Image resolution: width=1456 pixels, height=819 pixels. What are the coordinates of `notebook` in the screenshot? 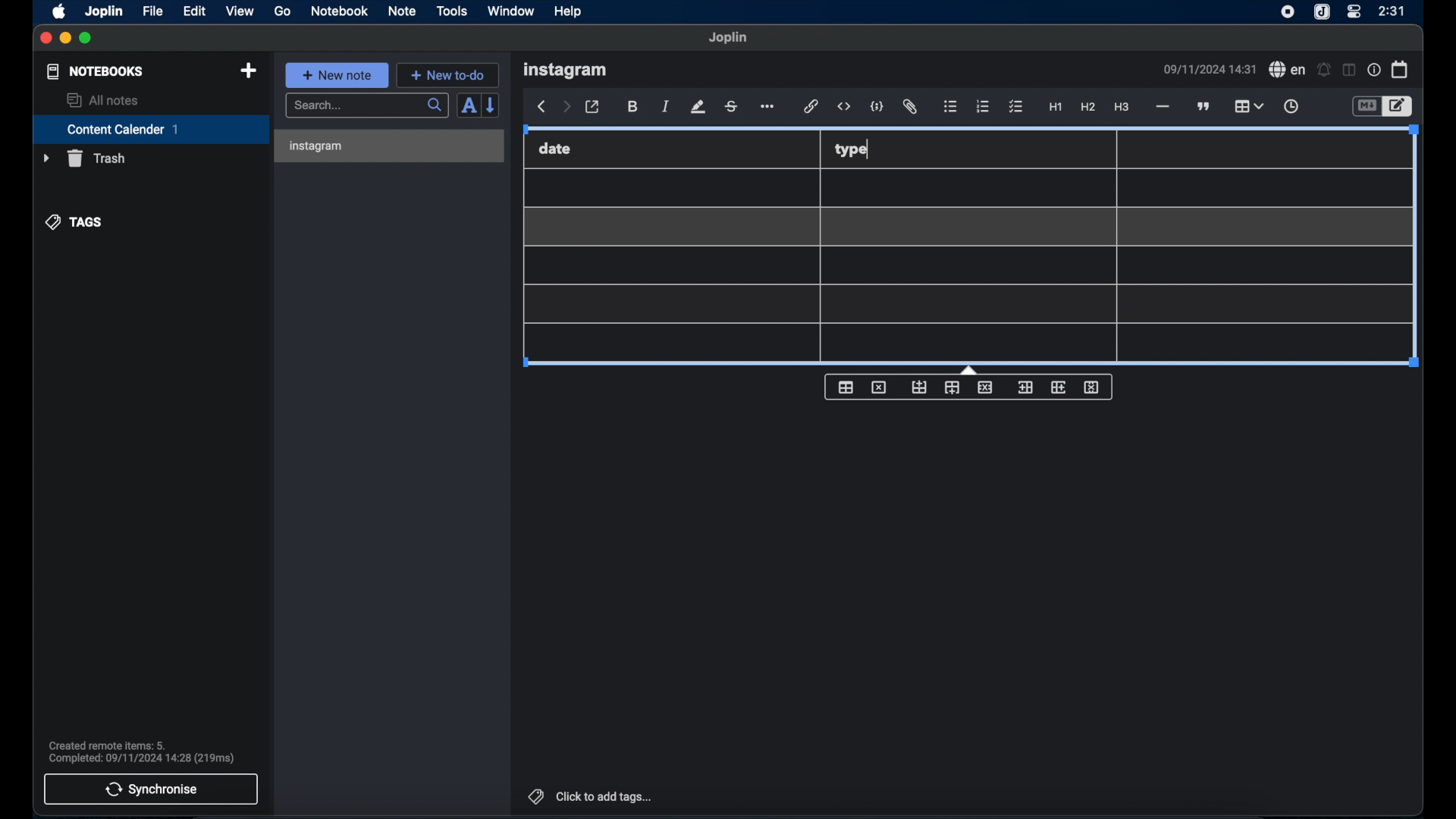 It's located at (338, 11).